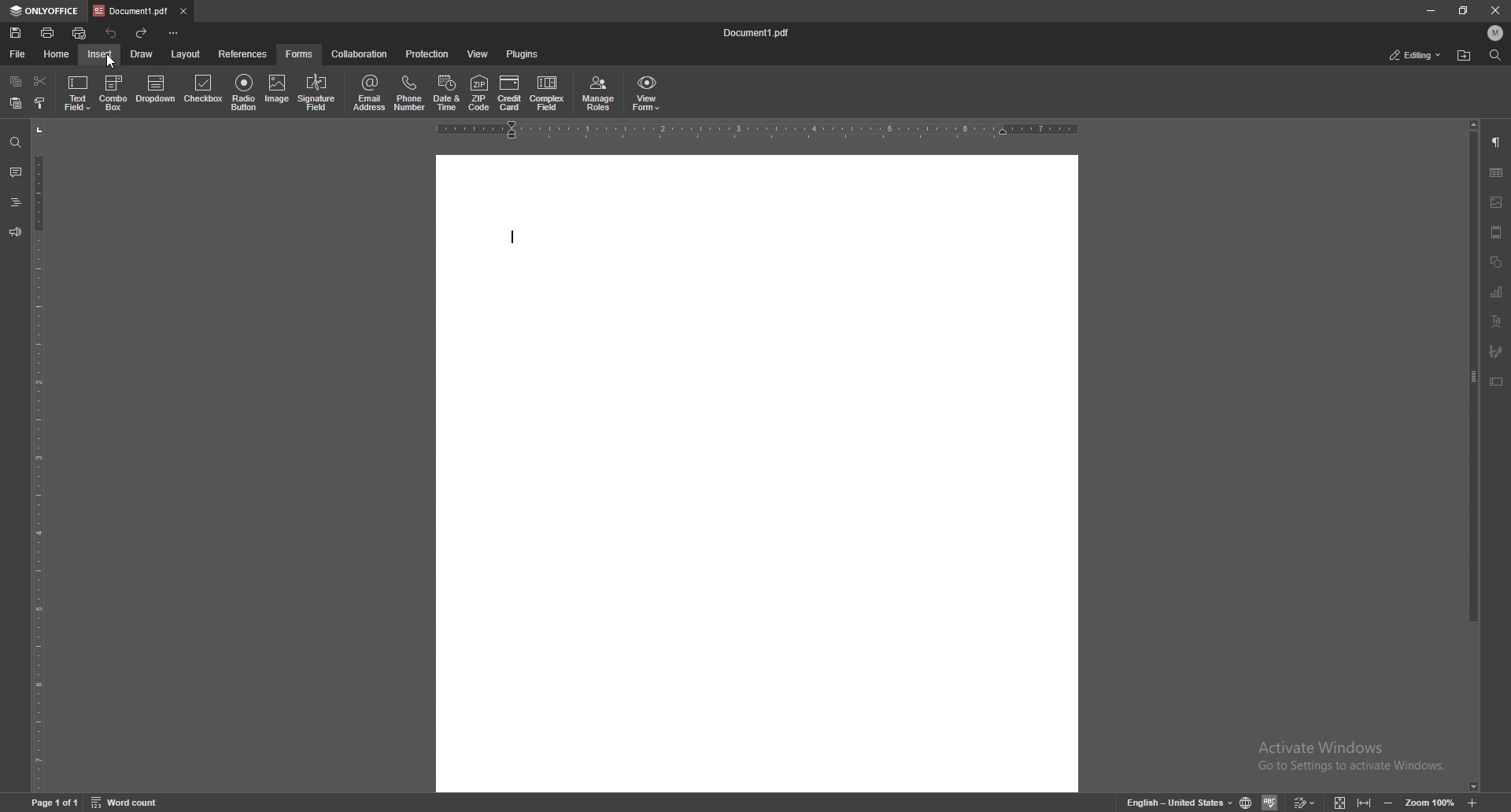 The height and width of the screenshot is (812, 1511). What do you see at coordinates (40, 80) in the screenshot?
I see `cut` at bounding box center [40, 80].